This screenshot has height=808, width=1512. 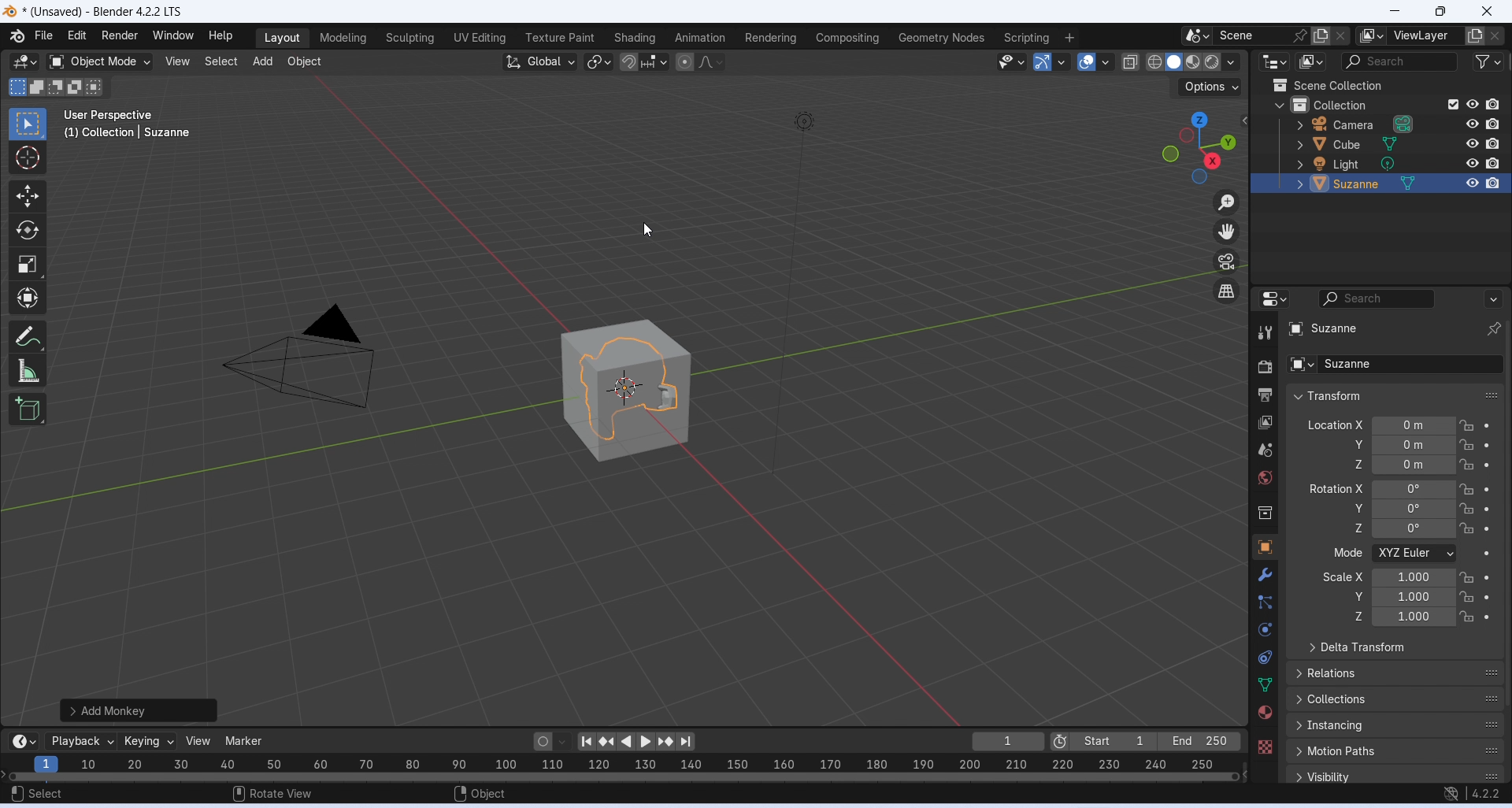 What do you see at coordinates (1414, 576) in the screenshot?
I see `scale` at bounding box center [1414, 576].